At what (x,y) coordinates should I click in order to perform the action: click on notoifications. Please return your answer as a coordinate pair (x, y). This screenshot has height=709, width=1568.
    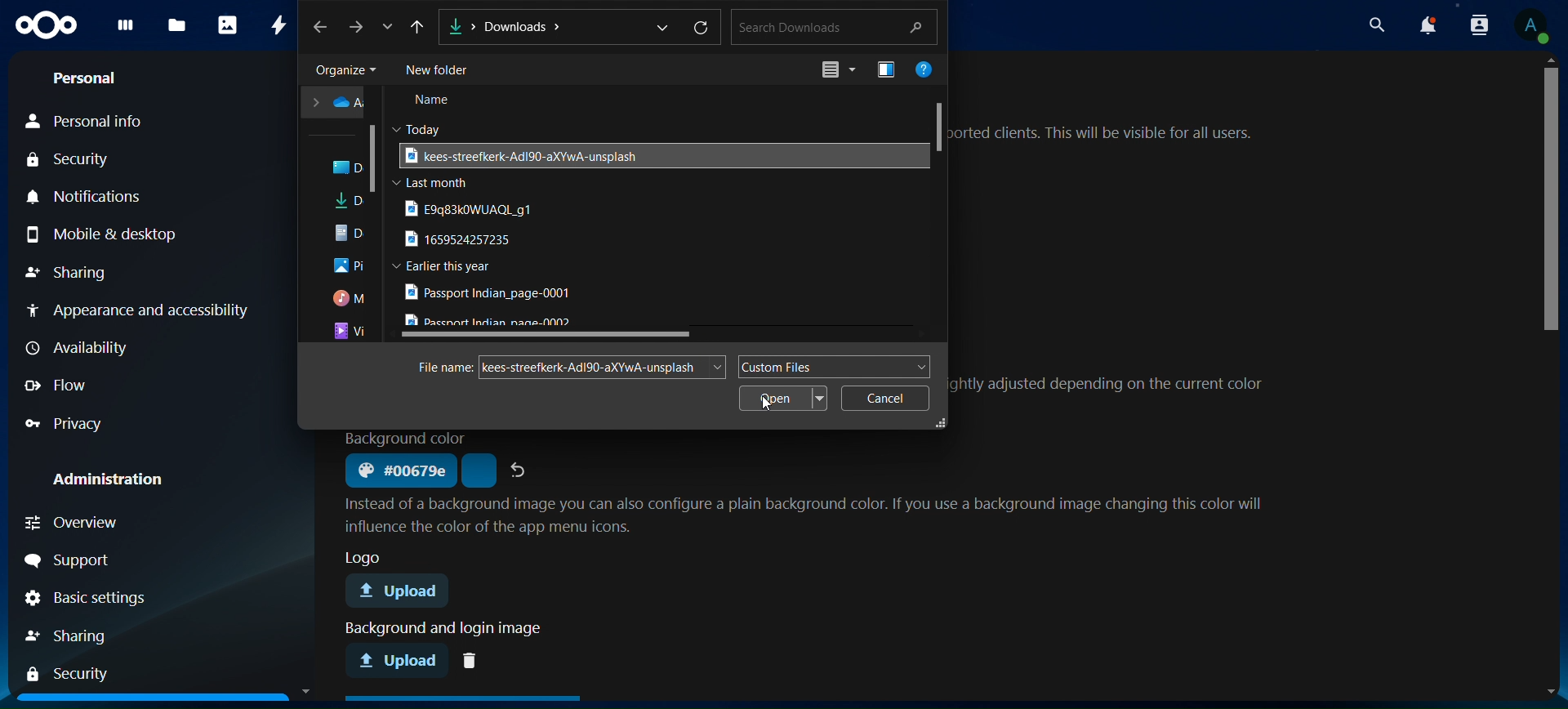
    Looking at the image, I should click on (1429, 26).